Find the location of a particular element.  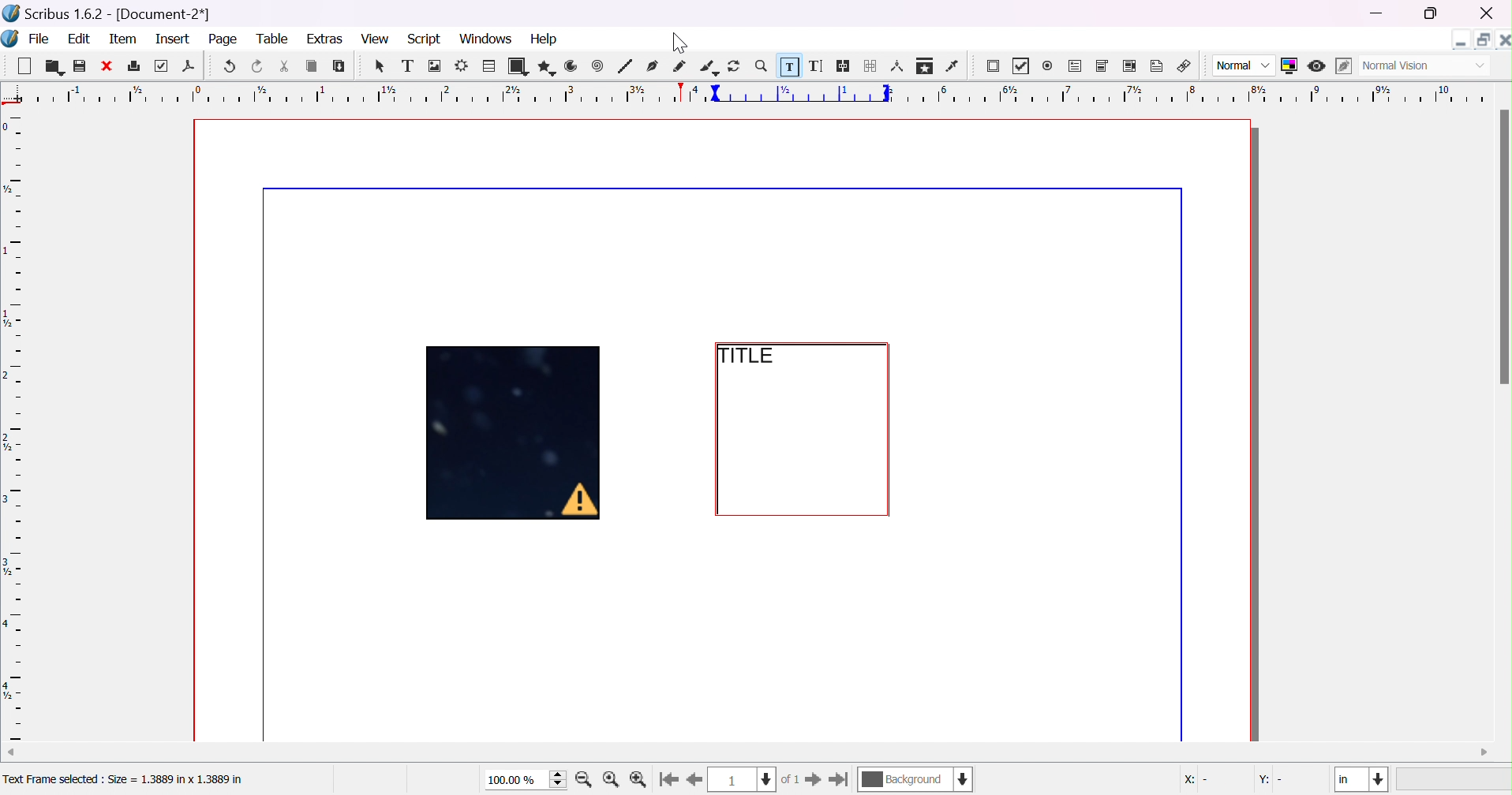

save as PDF is located at coordinates (188, 68).